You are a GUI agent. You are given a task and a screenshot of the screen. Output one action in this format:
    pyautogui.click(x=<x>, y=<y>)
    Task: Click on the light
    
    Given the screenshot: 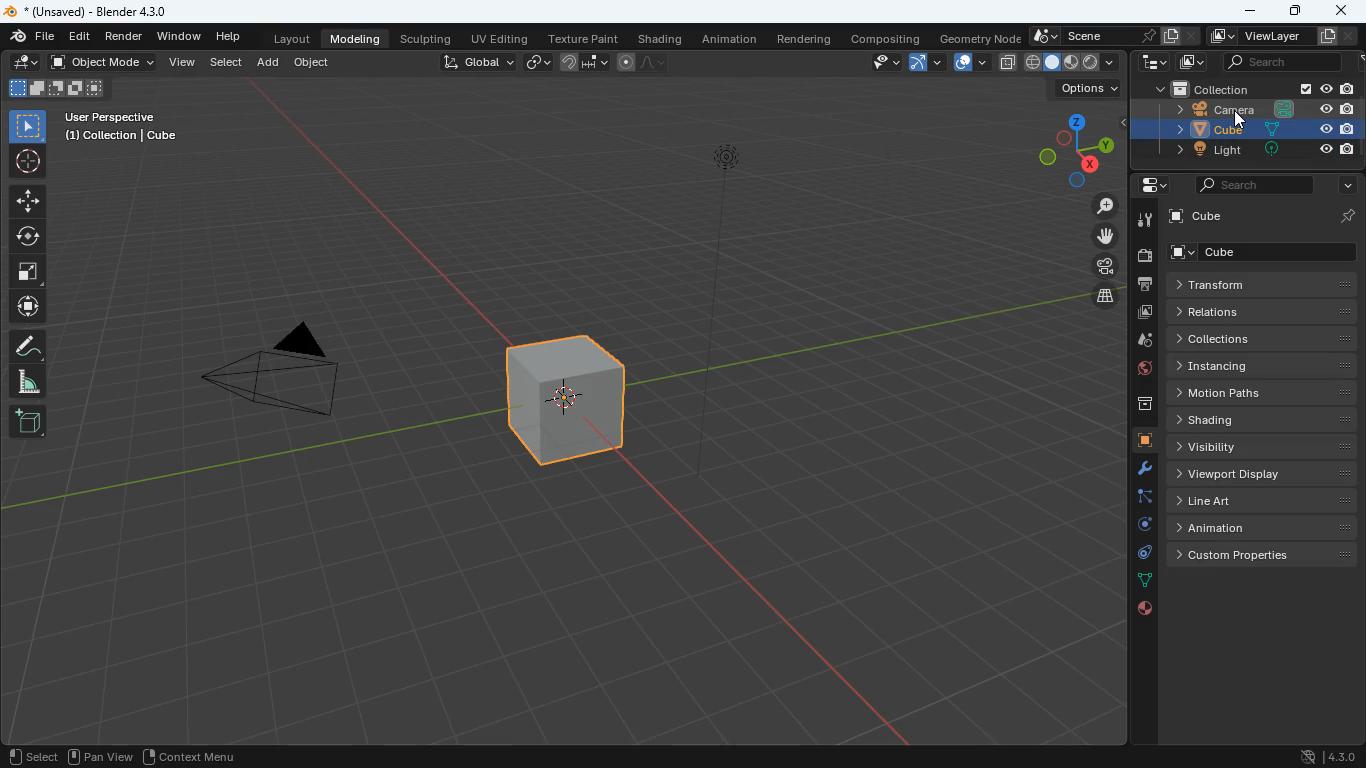 What is the action you would take?
    pyautogui.click(x=1258, y=151)
    